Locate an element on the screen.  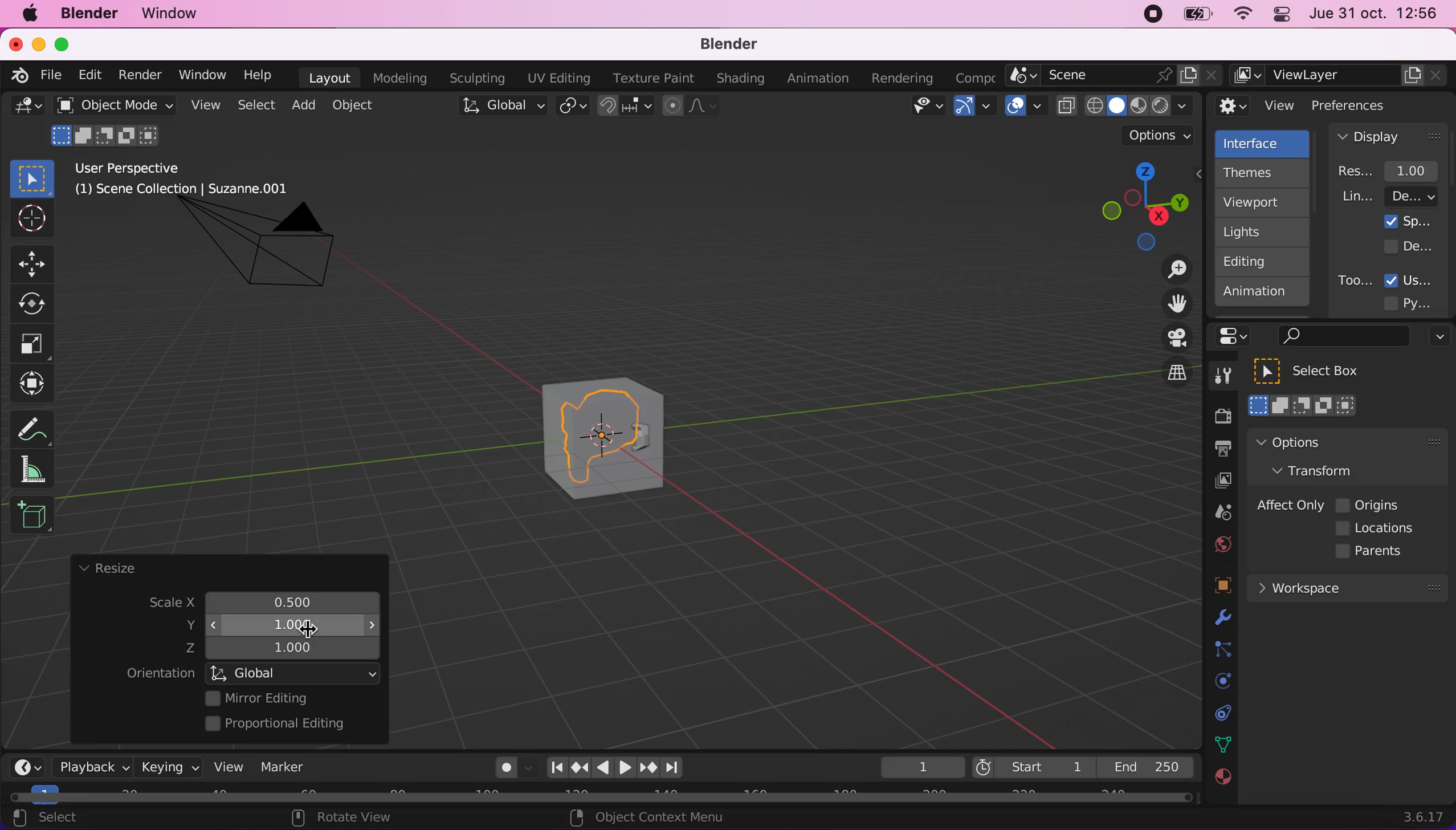
recording stopped is located at coordinates (1148, 16).